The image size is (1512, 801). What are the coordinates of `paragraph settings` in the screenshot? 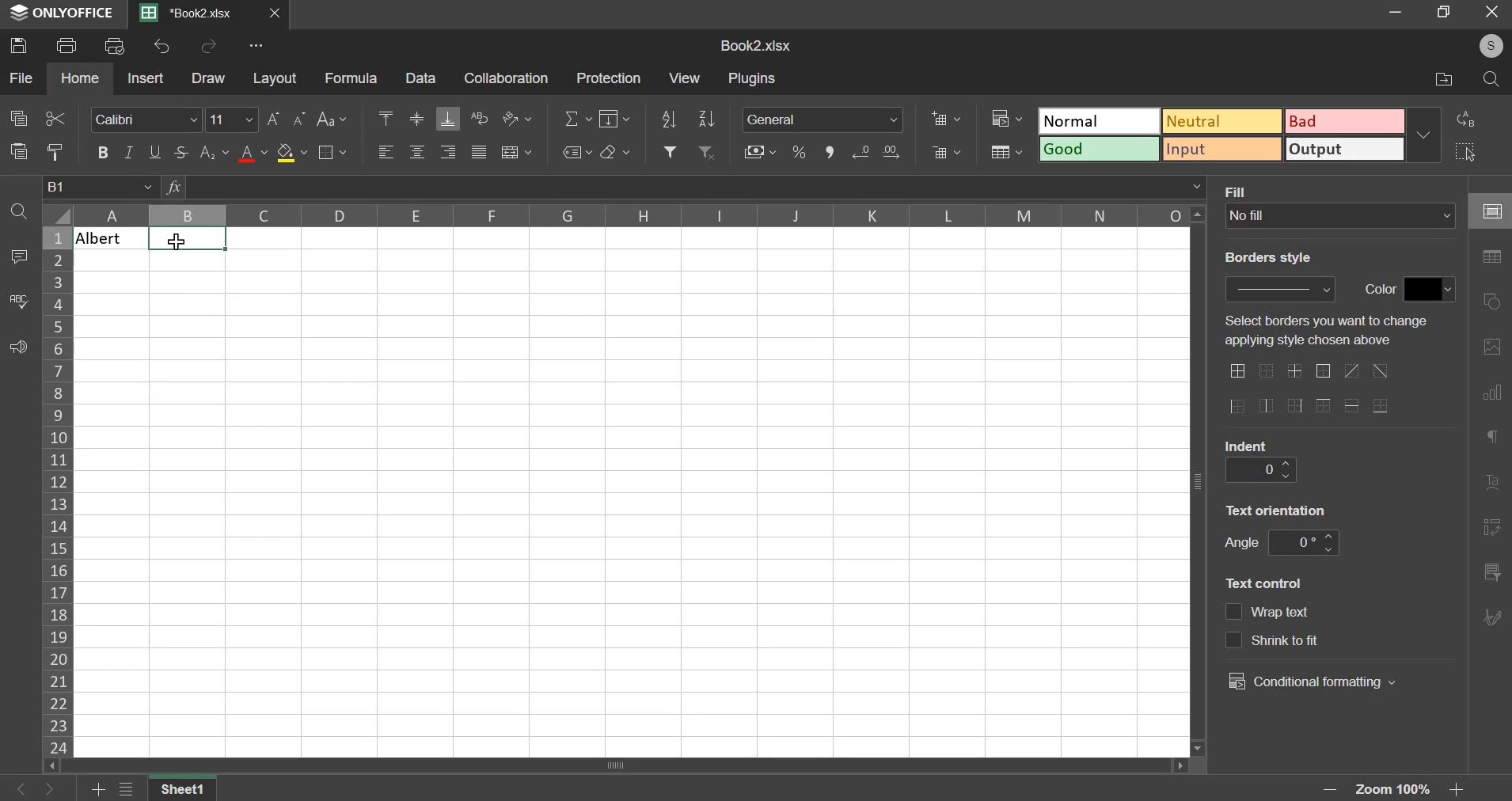 It's located at (1496, 440).